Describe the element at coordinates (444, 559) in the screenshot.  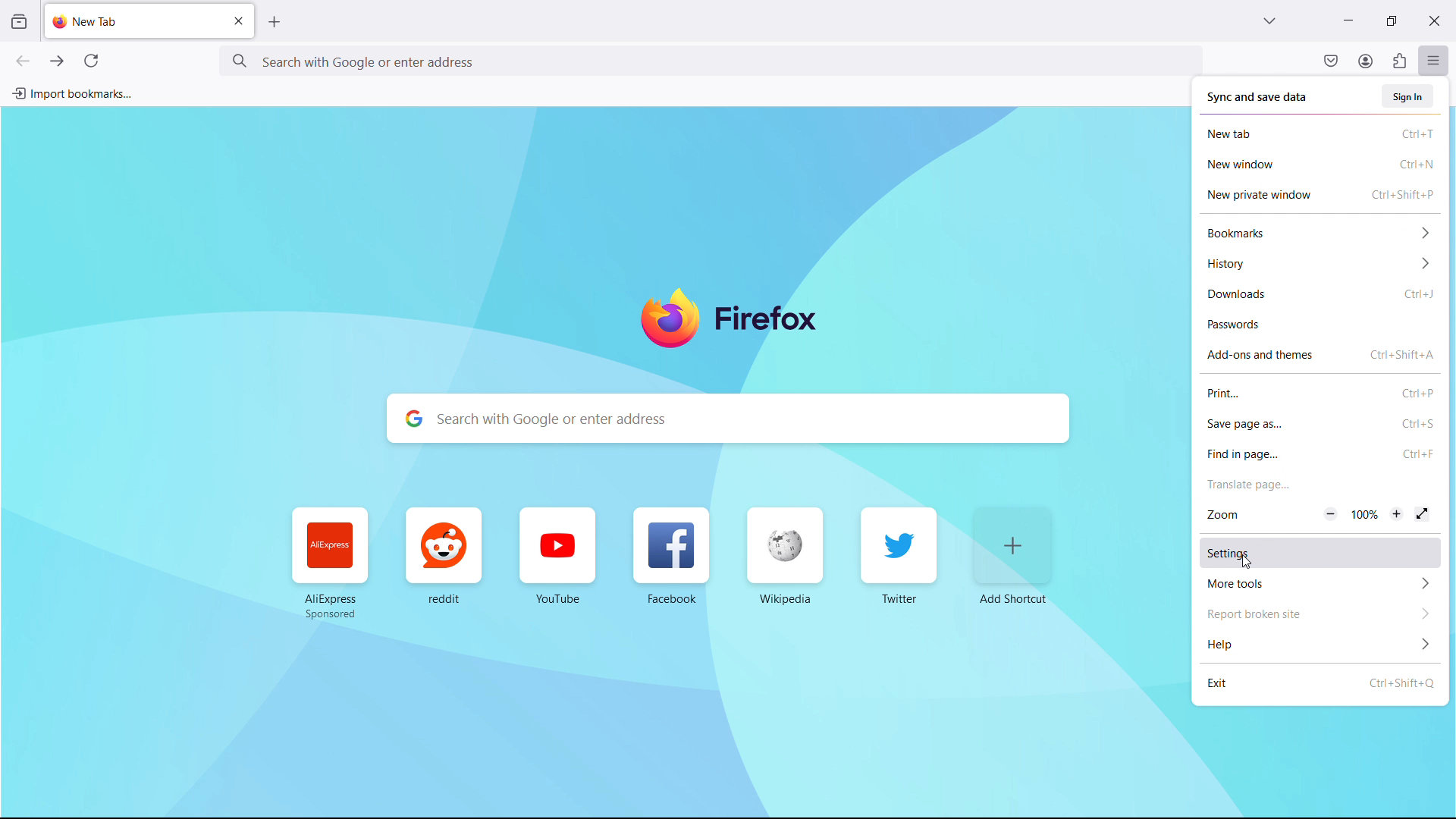
I see `reddit` at that location.